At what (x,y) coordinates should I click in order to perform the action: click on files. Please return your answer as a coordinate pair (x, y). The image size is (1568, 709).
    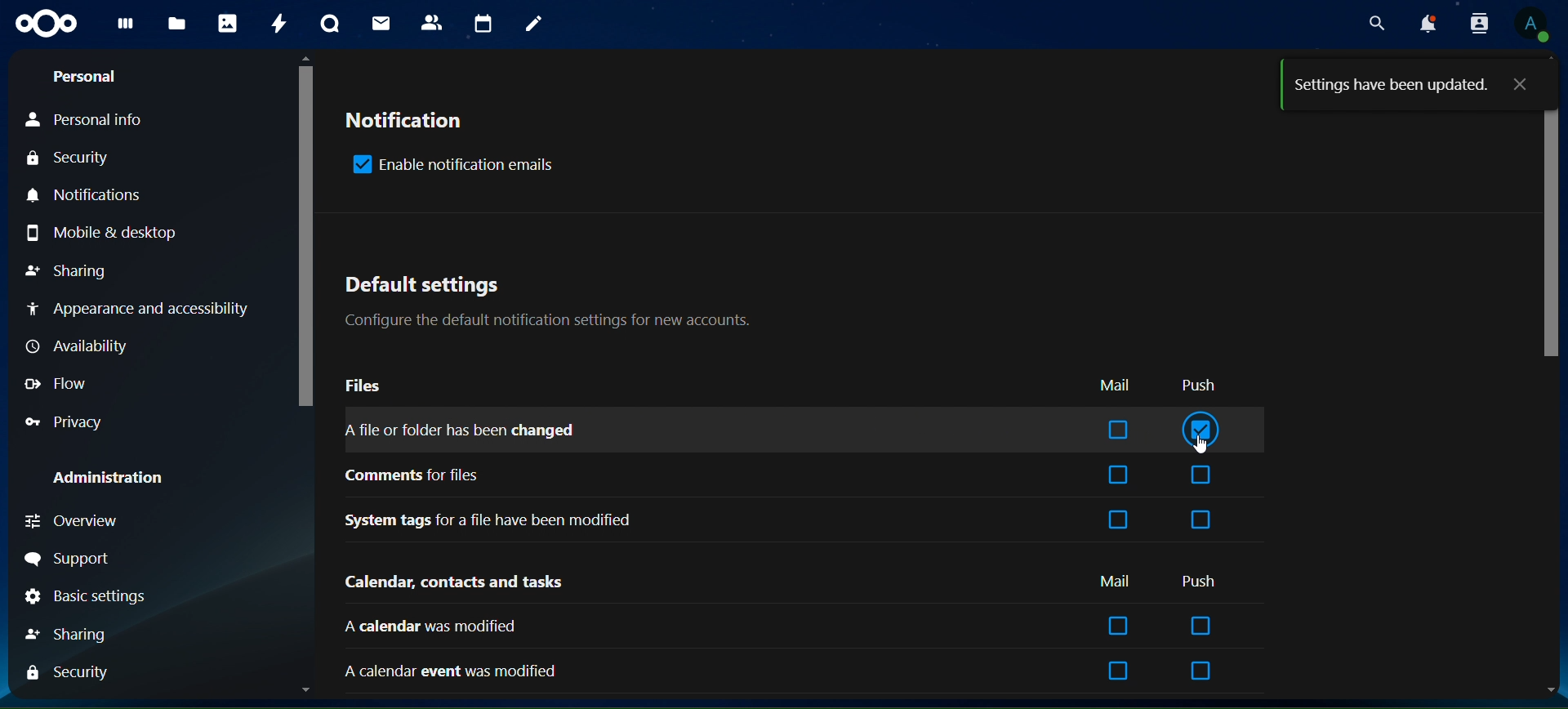
    Looking at the image, I should click on (364, 388).